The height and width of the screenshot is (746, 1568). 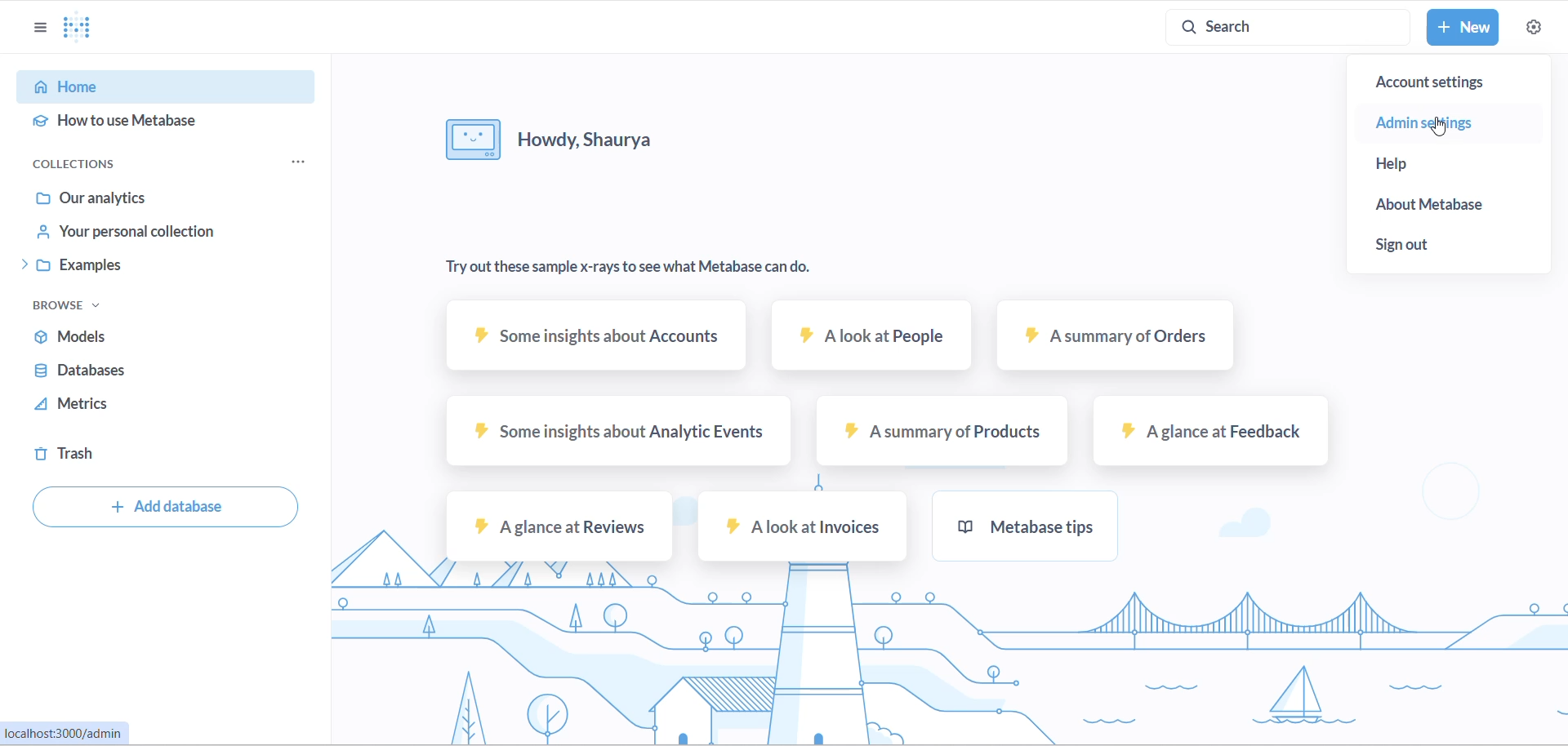 I want to click on A glance at Reviews sample, so click(x=555, y=527).